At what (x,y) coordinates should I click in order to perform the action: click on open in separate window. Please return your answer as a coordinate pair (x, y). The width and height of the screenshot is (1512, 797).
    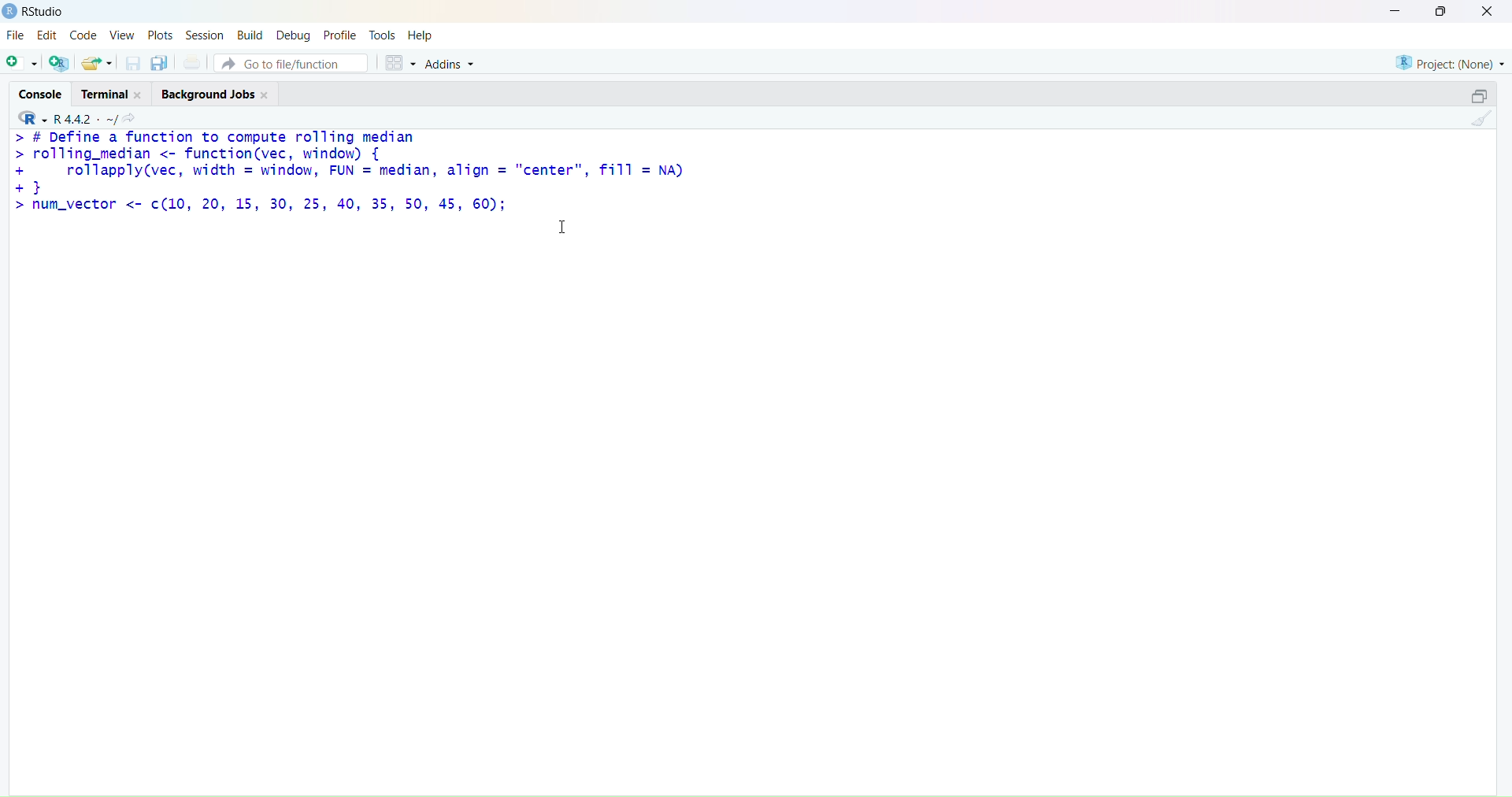
    Looking at the image, I should click on (1479, 96).